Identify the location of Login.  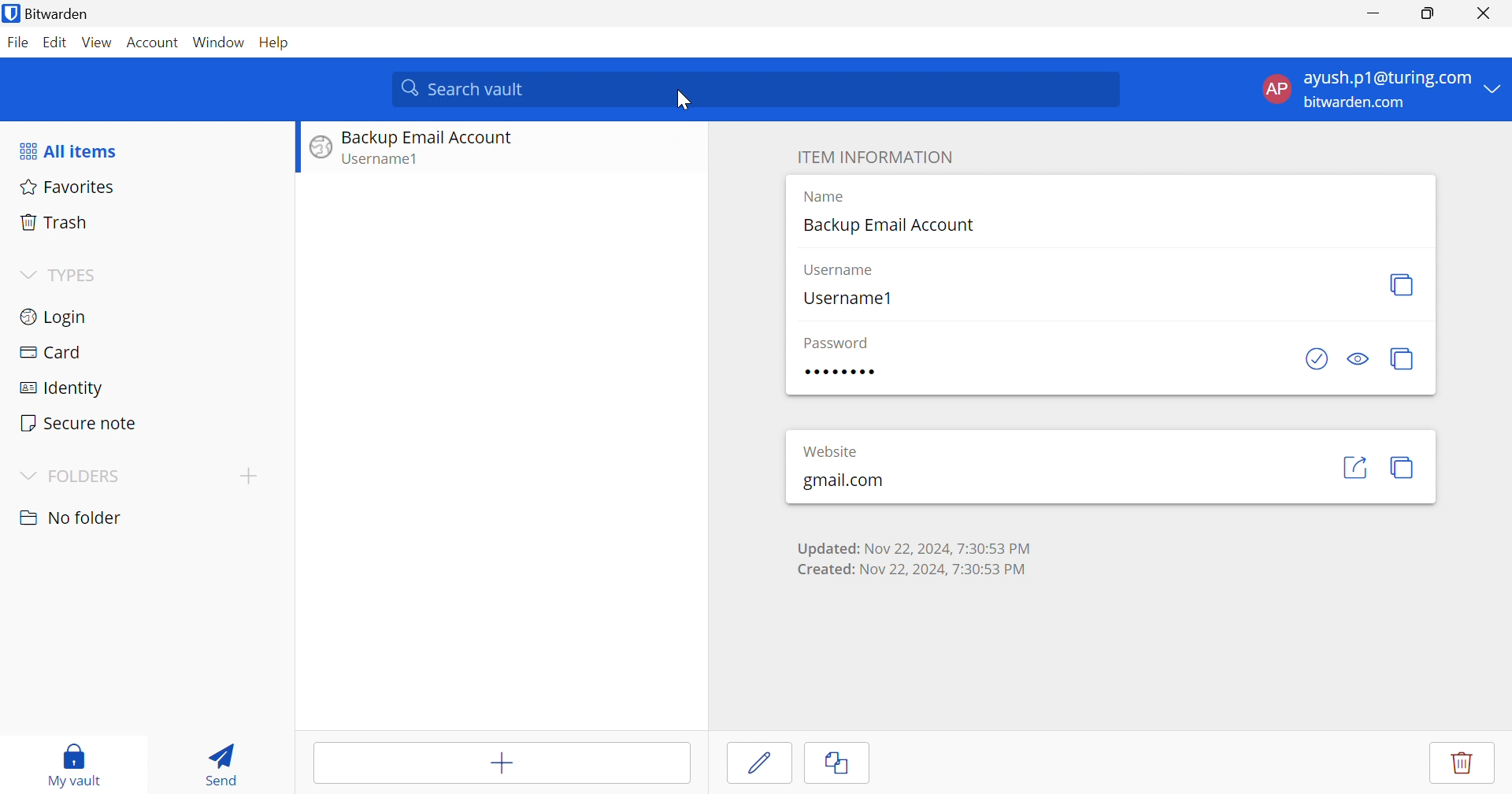
(56, 317).